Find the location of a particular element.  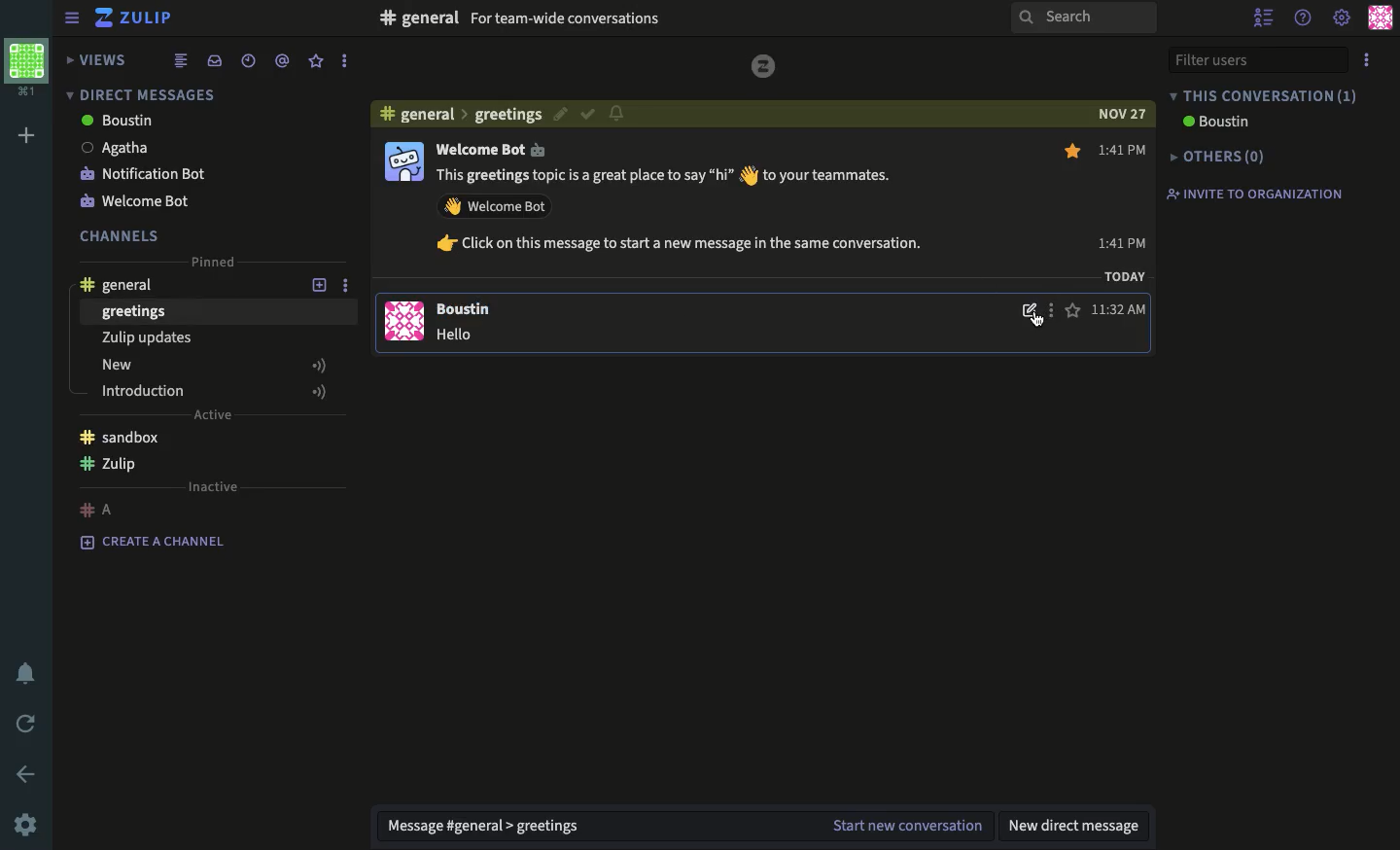

start new conversation is located at coordinates (909, 823).